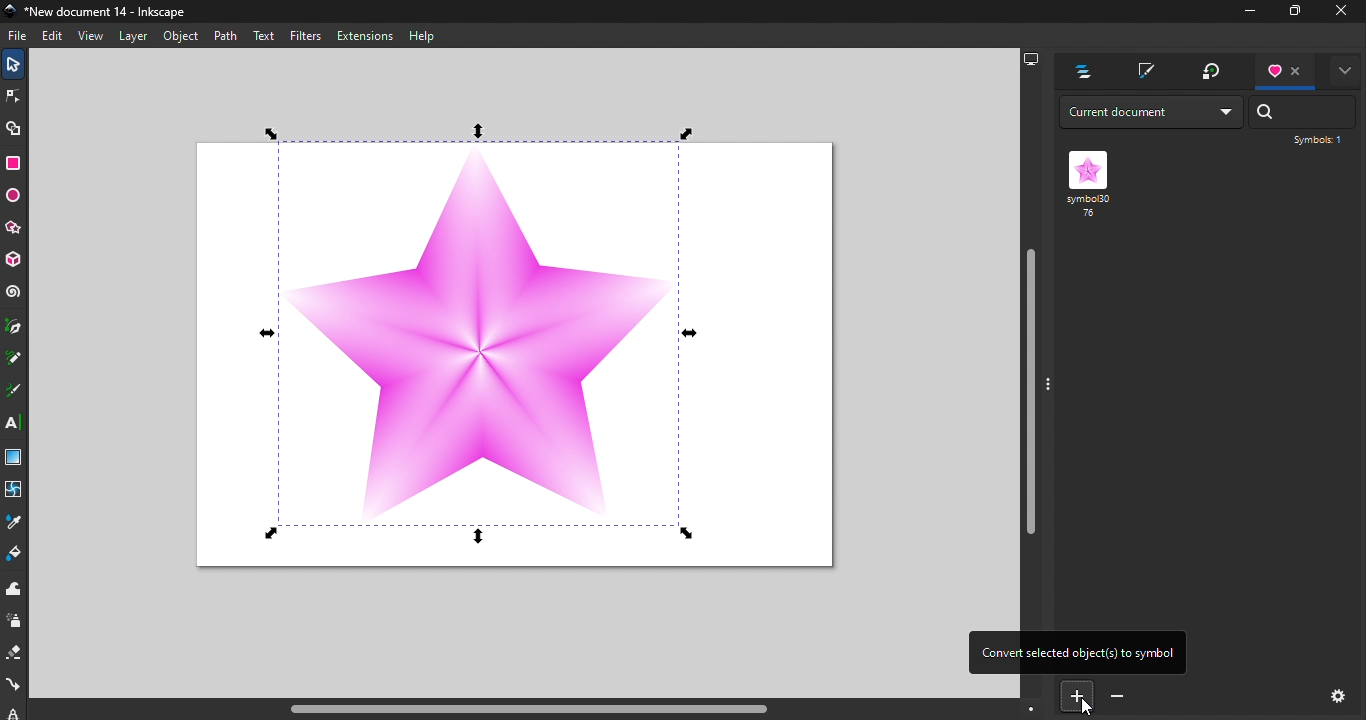 This screenshot has width=1366, height=720. I want to click on Search bar, so click(1303, 112).